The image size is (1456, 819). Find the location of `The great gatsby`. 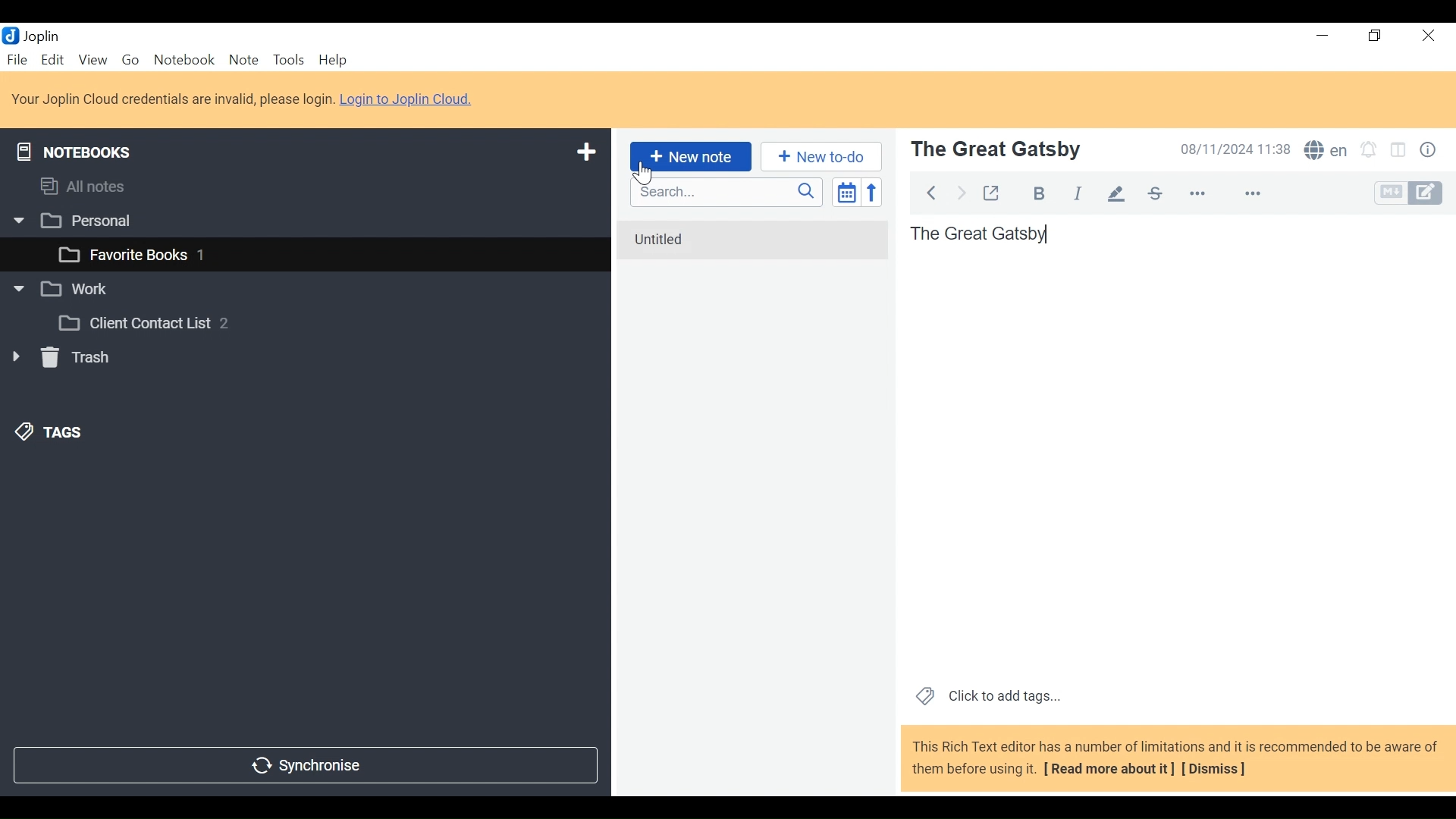

The great gatsby is located at coordinates (1031, 150).